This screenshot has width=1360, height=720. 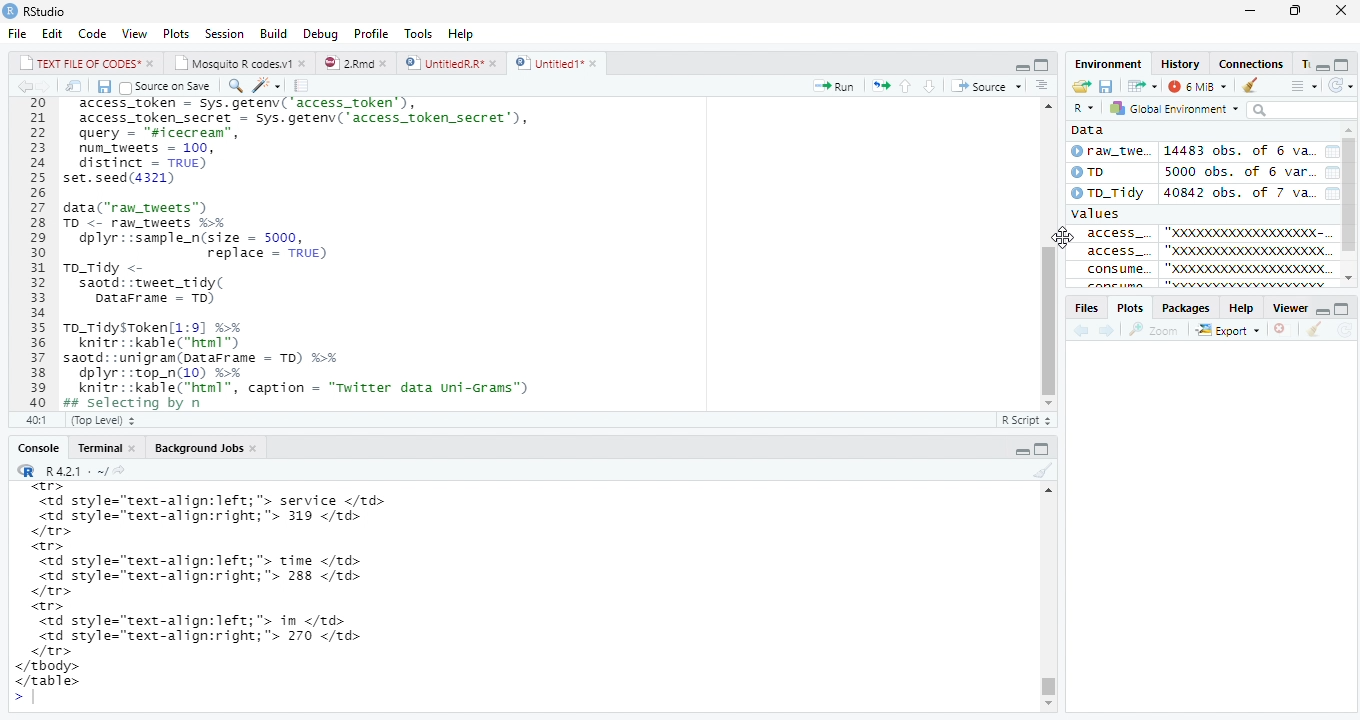 What do you see at coordinates (1239, 309) in the screenshot?
I see `Help` at bounding box center [1239, 309].